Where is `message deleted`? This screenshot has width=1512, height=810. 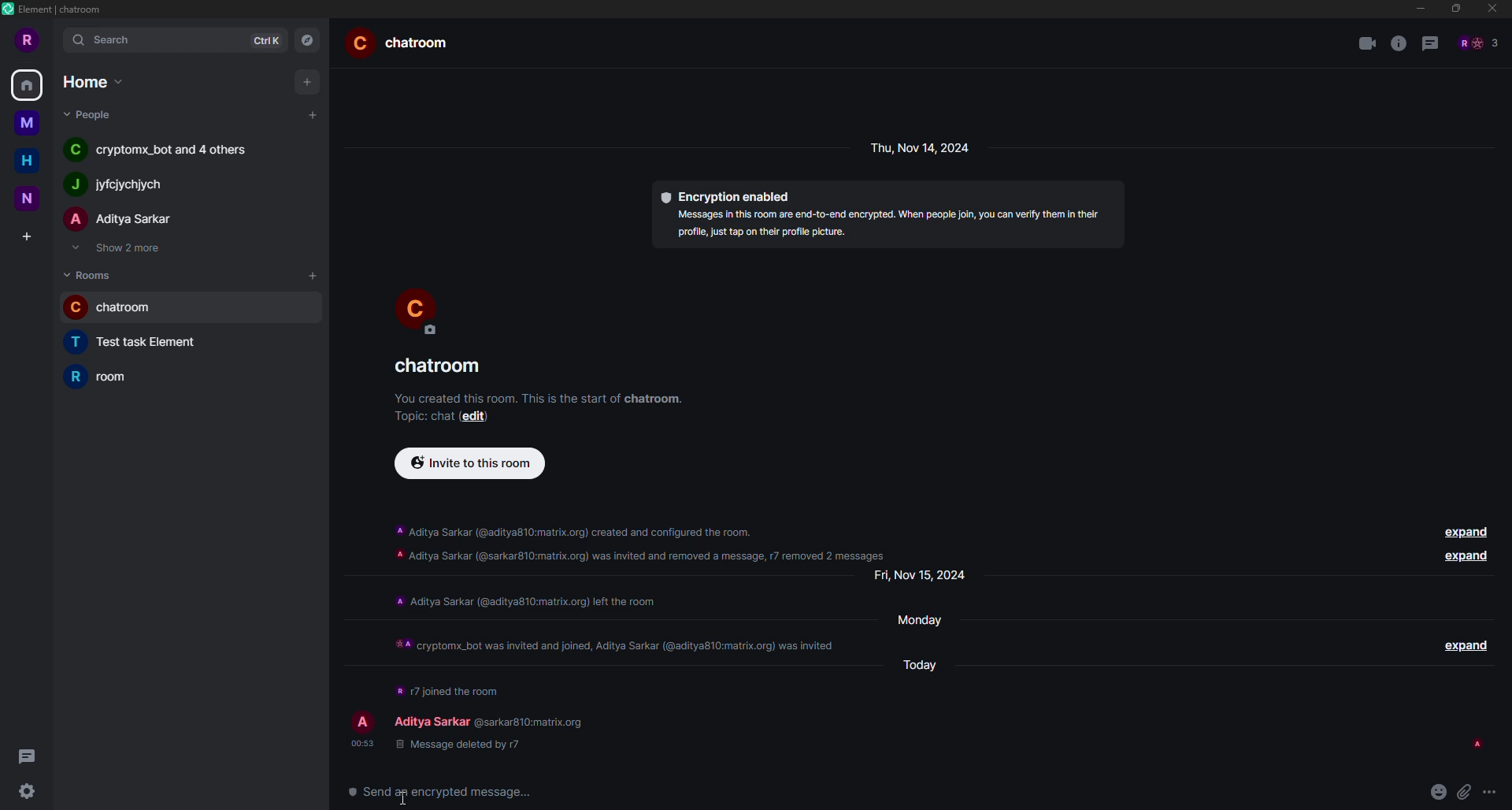
message deleted is located at coordinates (455, 744).